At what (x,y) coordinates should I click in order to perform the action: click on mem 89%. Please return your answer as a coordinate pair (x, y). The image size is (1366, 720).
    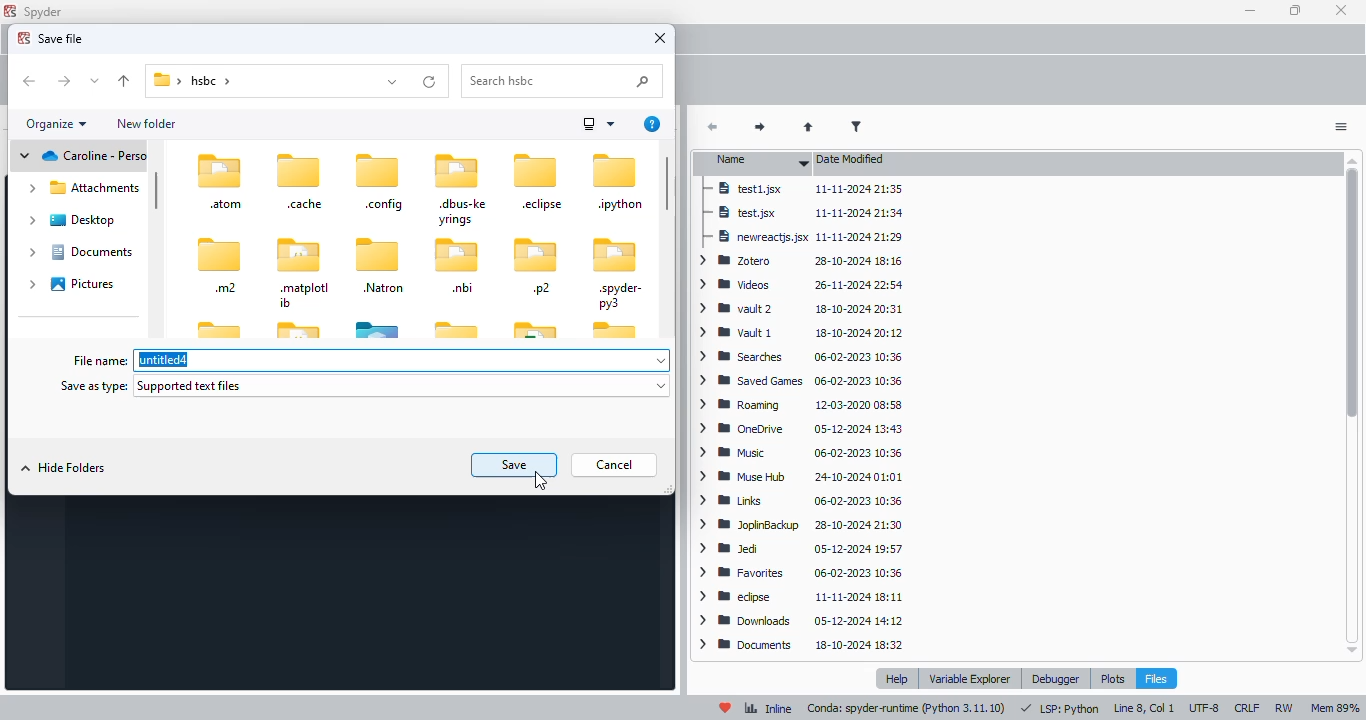
    Looking at the image, I should click on (1335, 708).